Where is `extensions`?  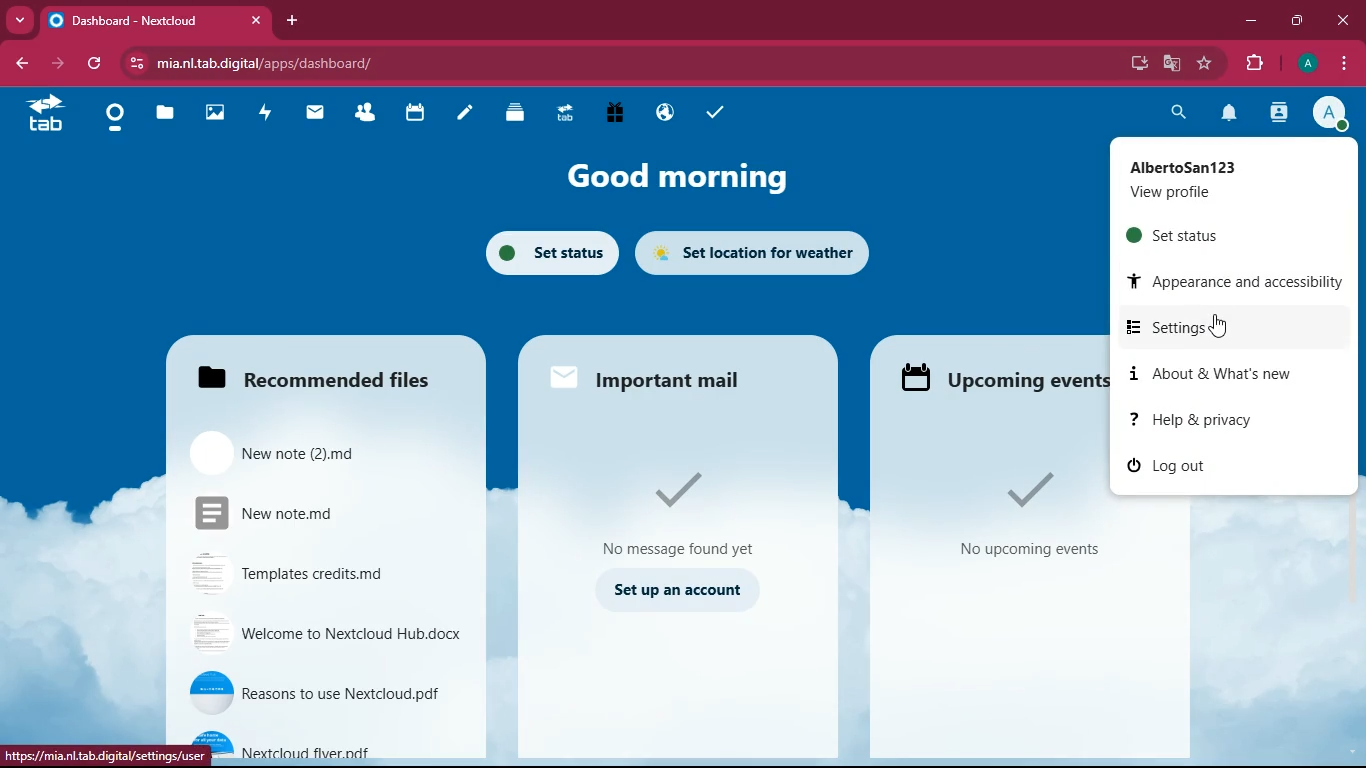
extensions is located at coordinates (1250, 61).